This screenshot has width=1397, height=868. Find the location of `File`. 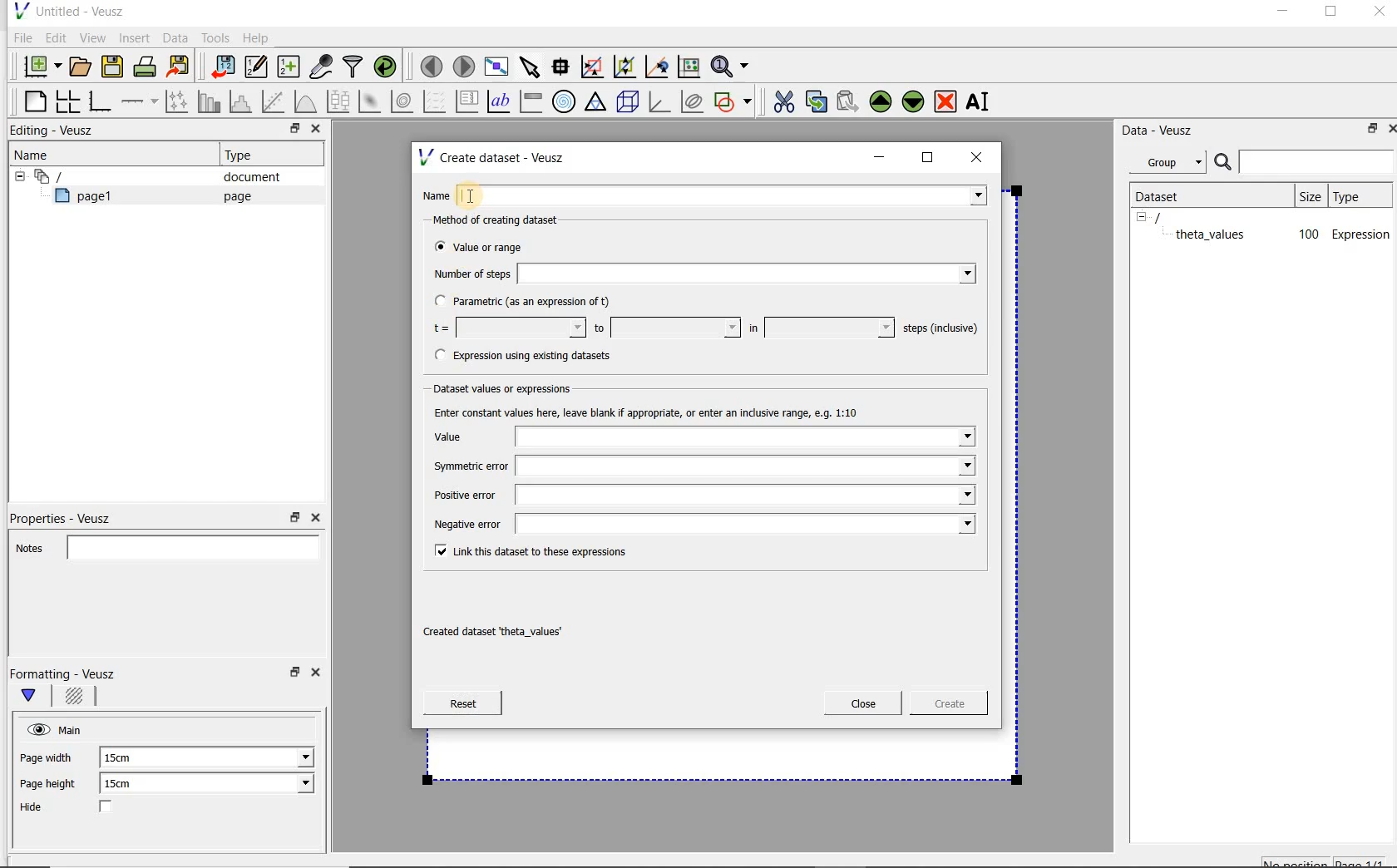

File is located at coordinates (20, 38).